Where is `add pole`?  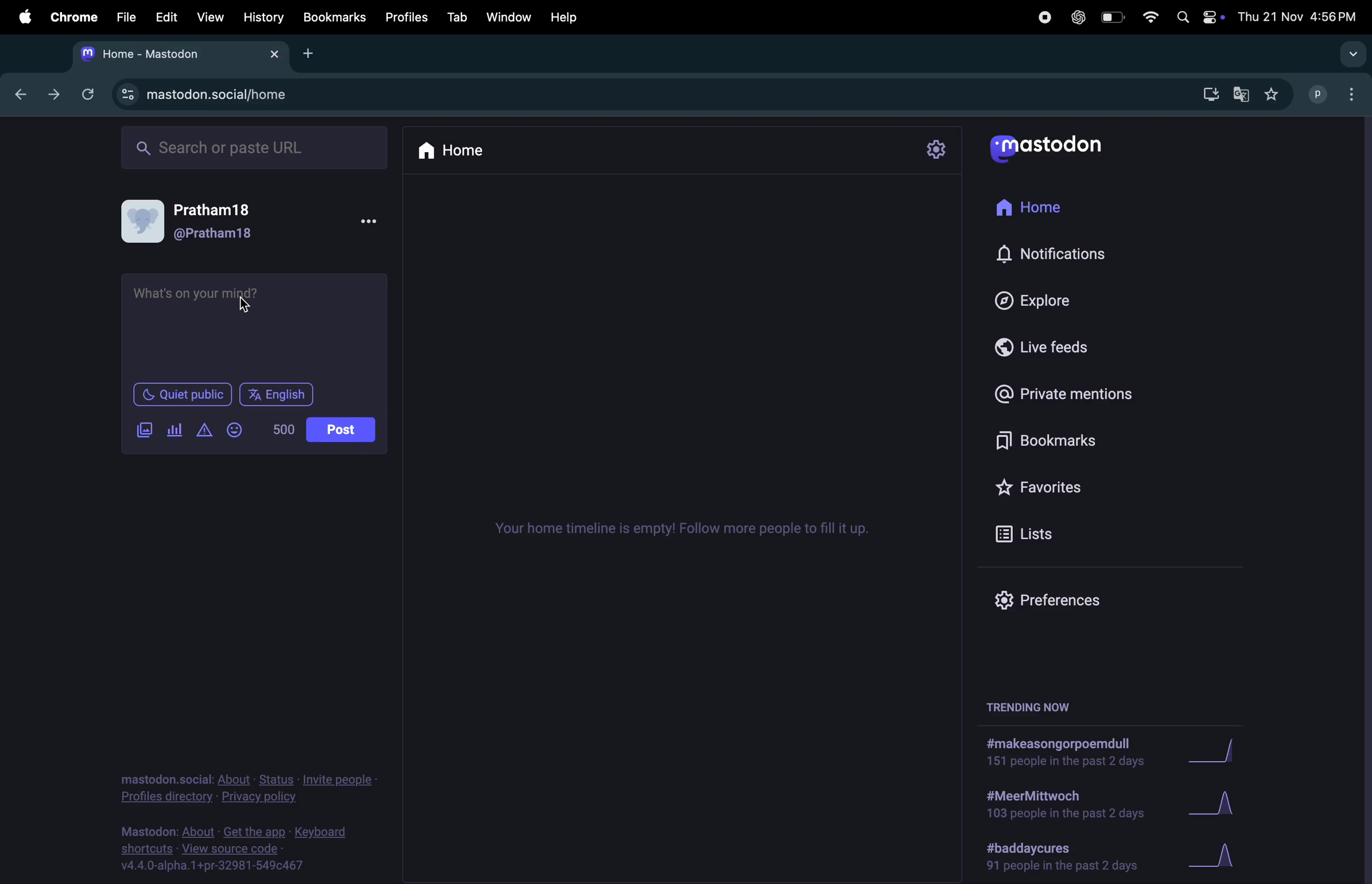 add pole is located at coordinates (174, 432).